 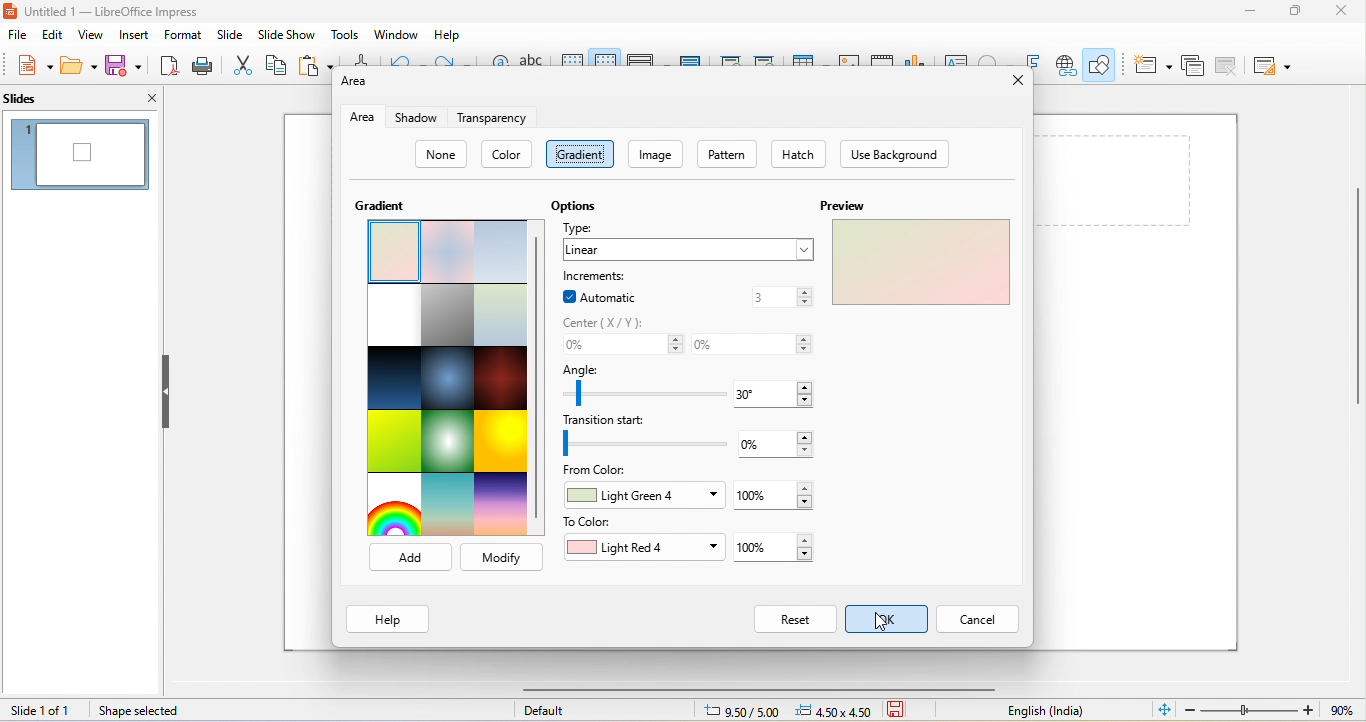 What do you see at coordinates (741, 689) in the screenshot?
I see `horizontal scroll` at bounding box center [741, 689].